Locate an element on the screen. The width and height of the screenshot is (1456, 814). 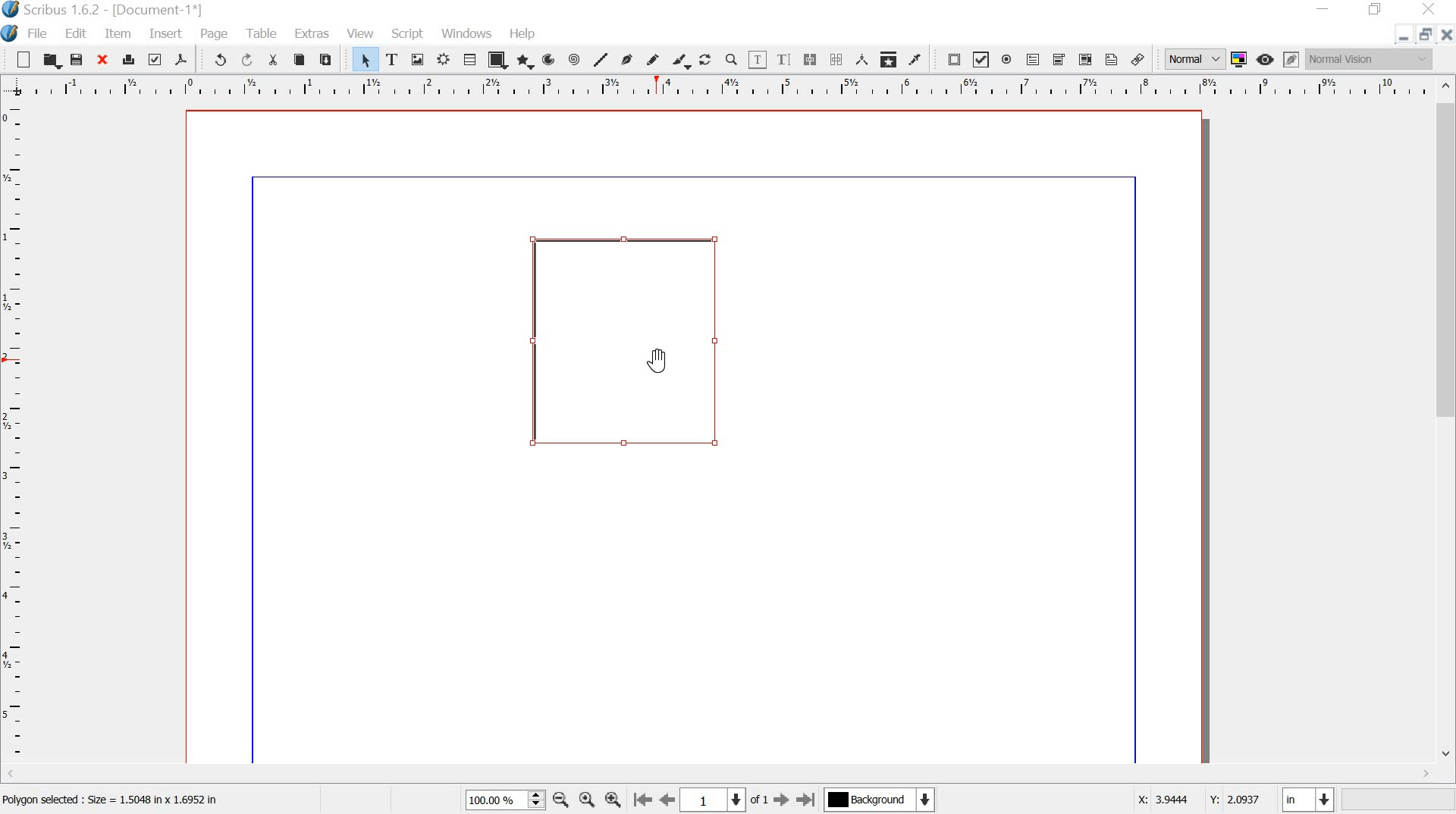
zoom out is located at coordinates (560, 799).